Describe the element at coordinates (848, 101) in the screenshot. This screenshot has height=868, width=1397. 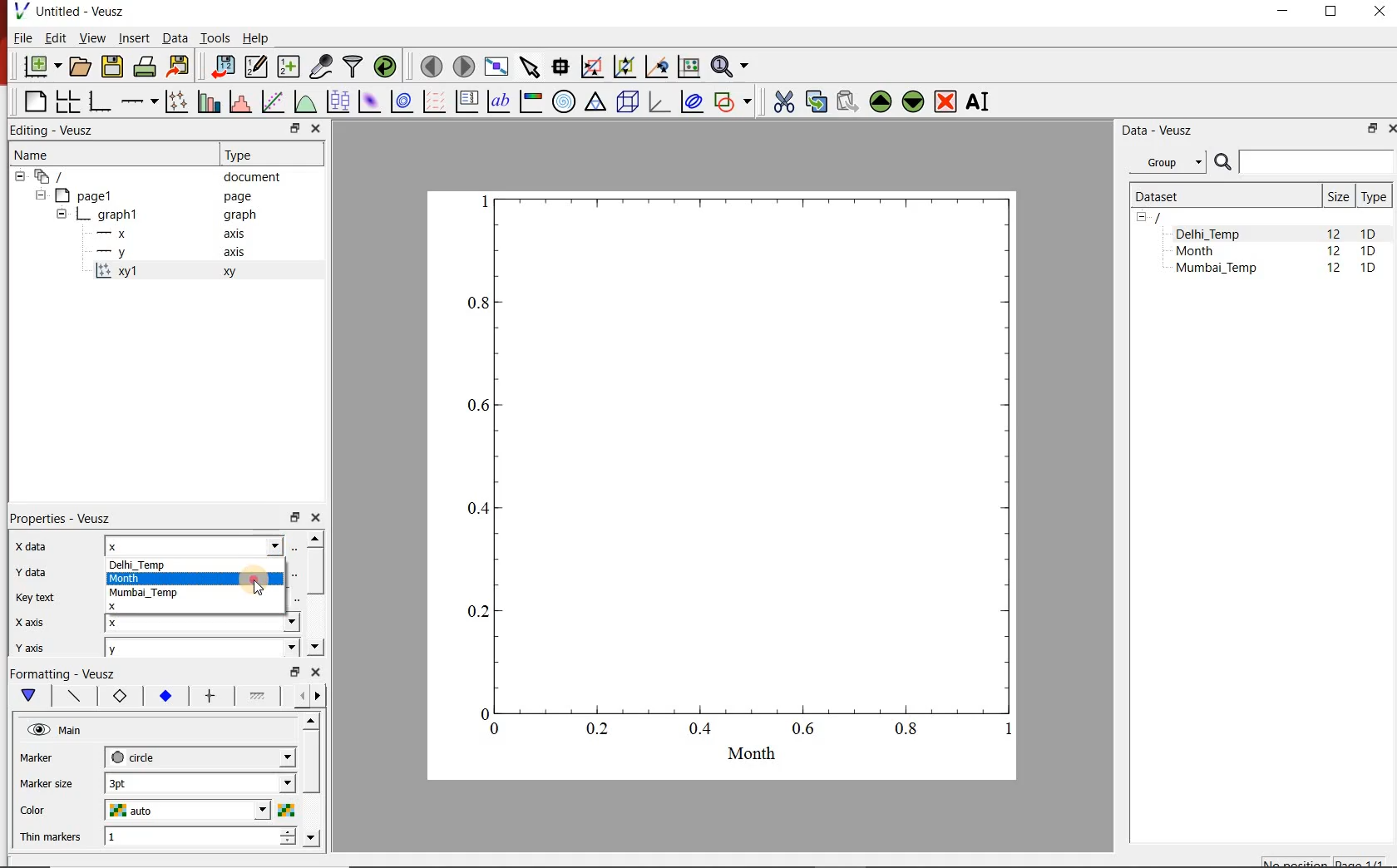
I see `paste widget from the clipboard` at that location.